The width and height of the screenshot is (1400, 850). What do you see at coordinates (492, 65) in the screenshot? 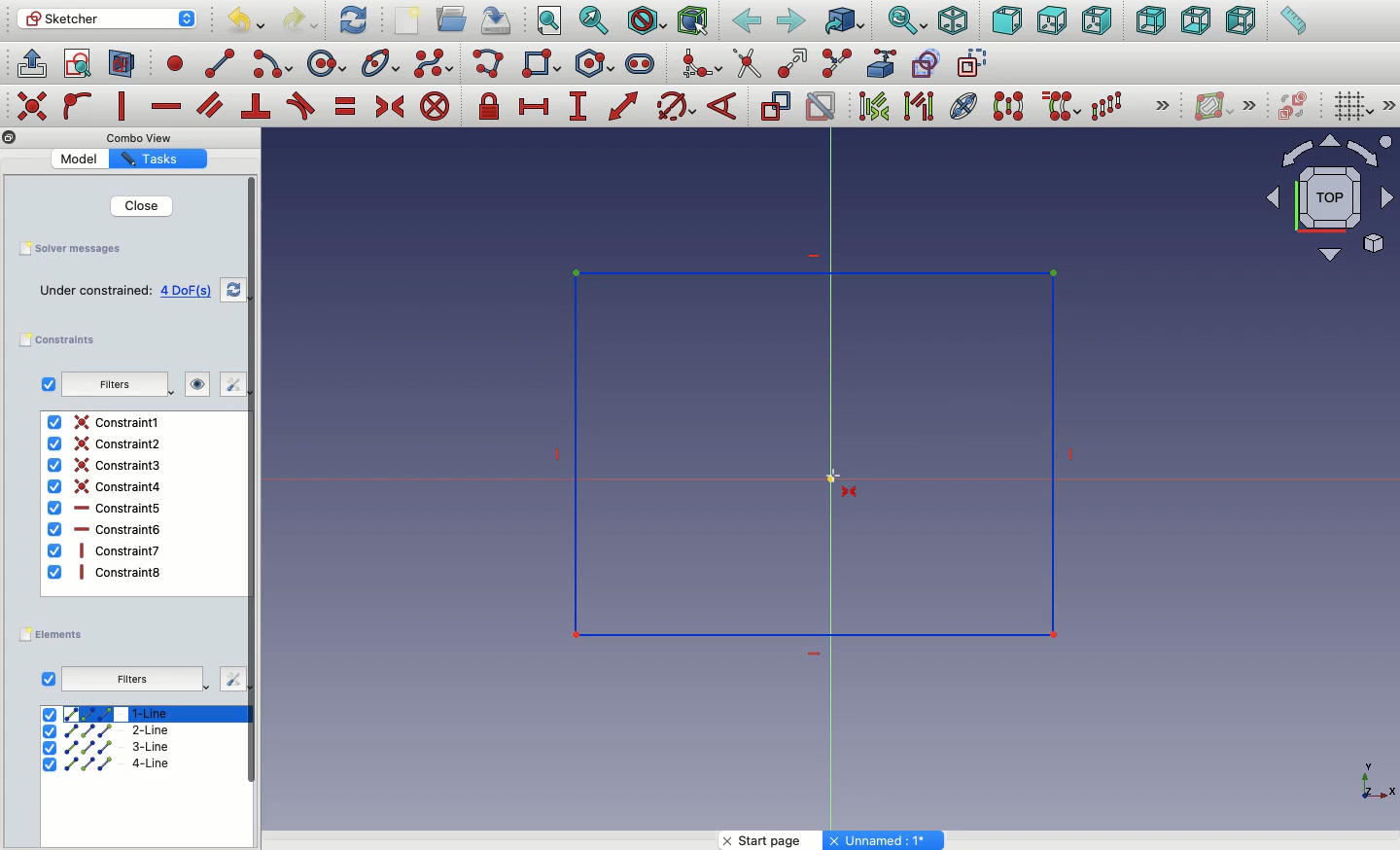
I see `Polyline` at bounding box center [492, 65].